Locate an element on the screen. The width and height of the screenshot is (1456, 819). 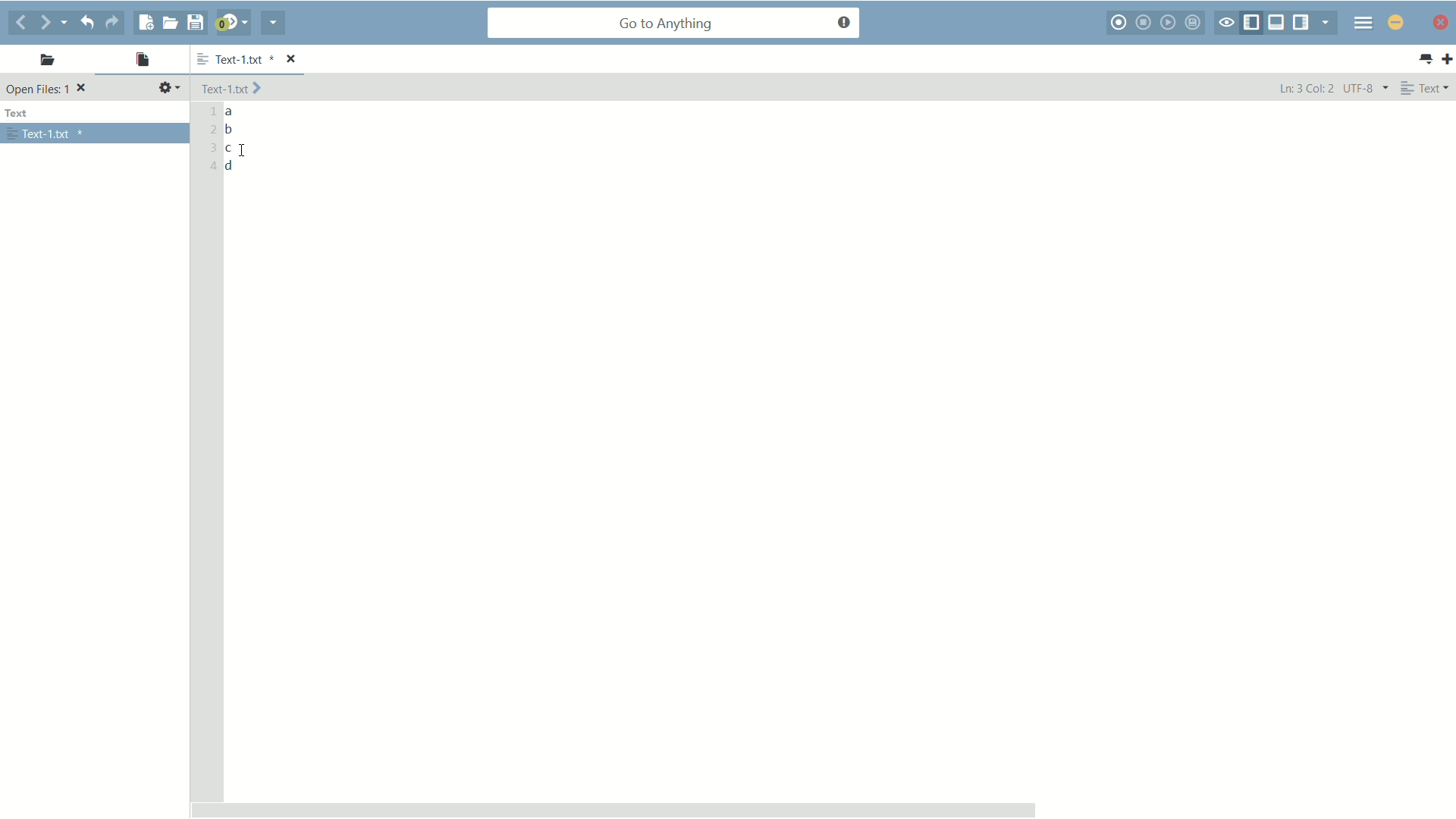
Open files: 1 is located at coordinates (49, 89).